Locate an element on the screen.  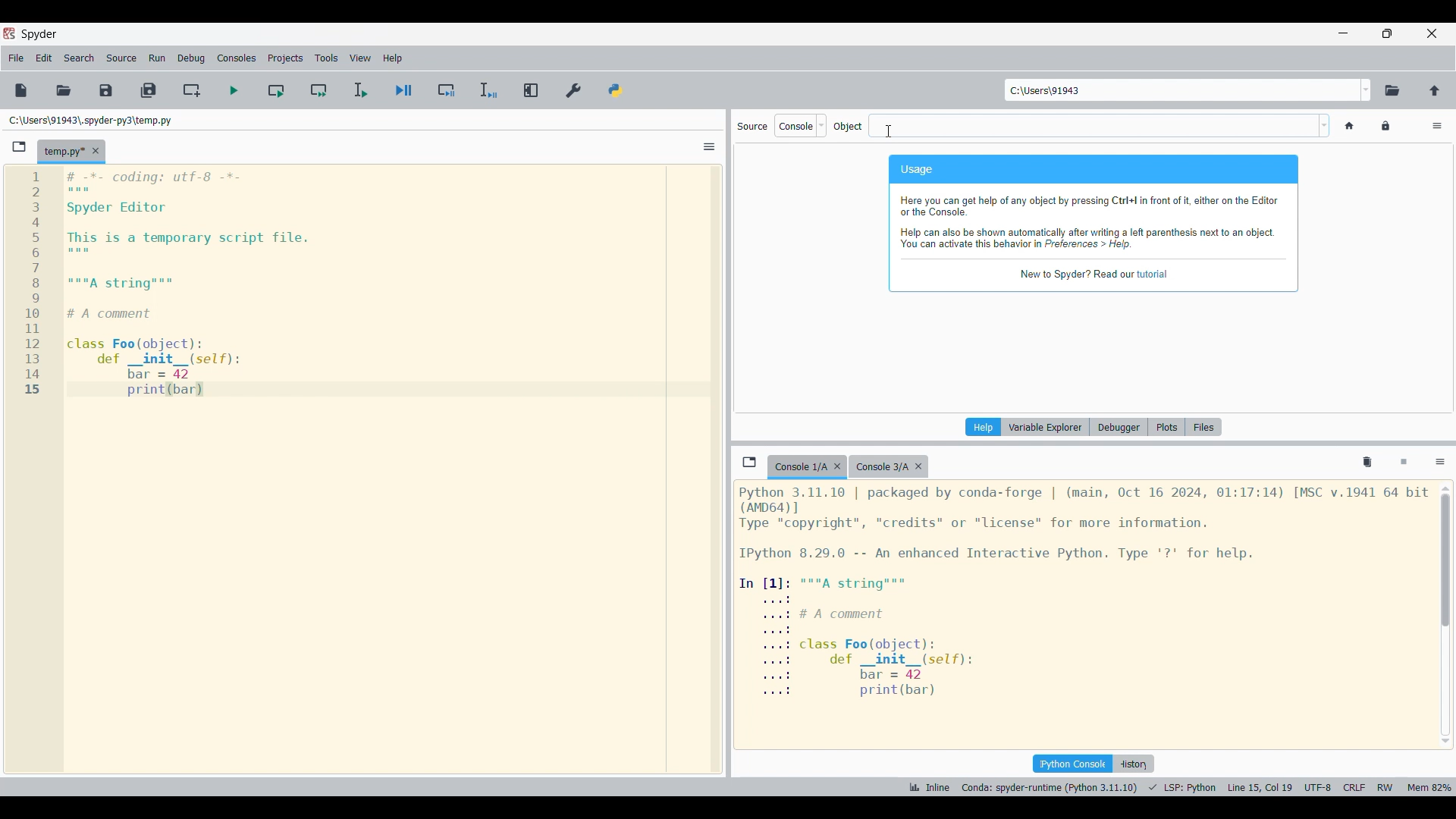
Search menu is located at coordinates (79, 58).